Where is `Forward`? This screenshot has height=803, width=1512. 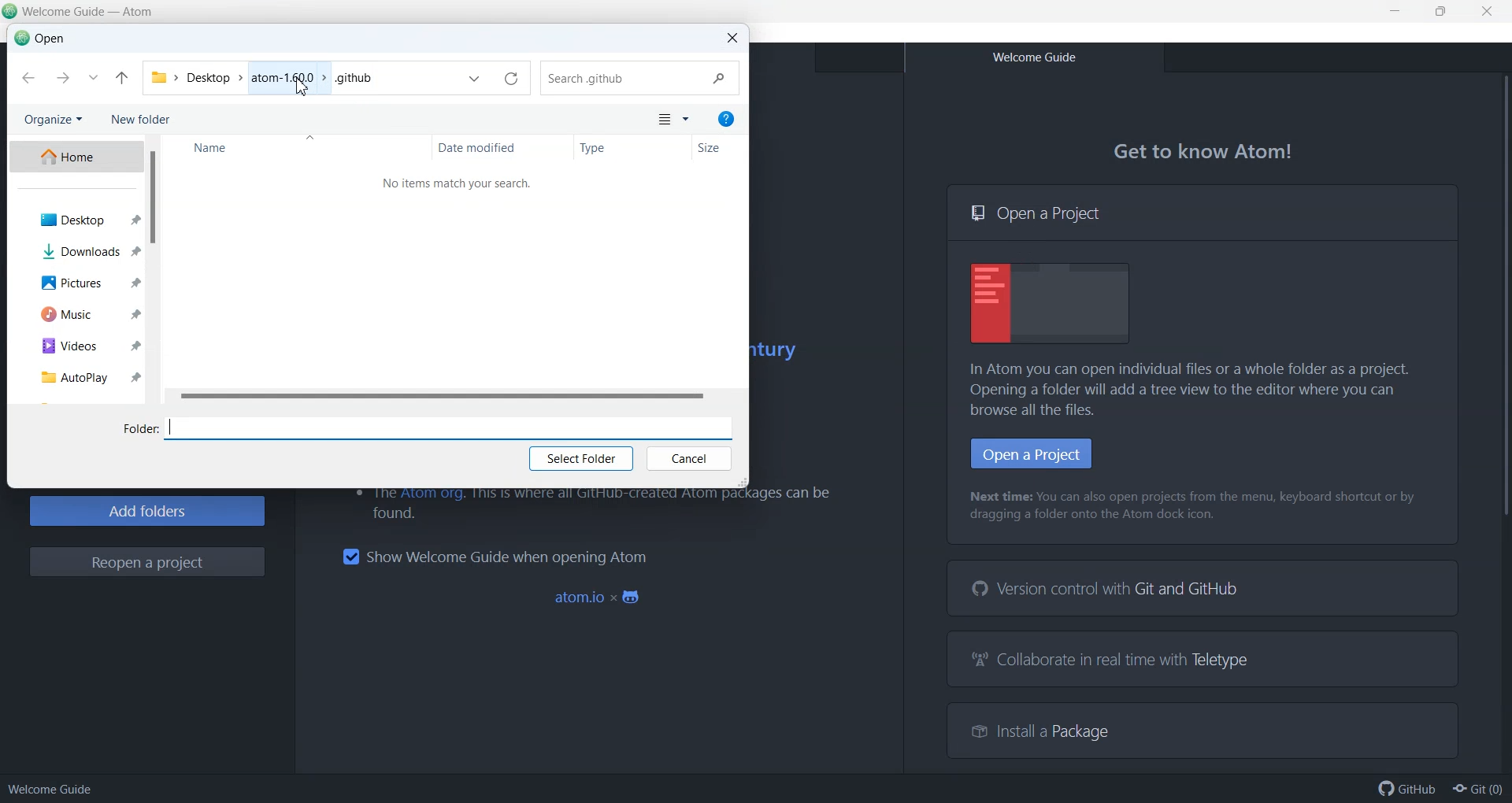
Forward is located at coordinates (61, 78).